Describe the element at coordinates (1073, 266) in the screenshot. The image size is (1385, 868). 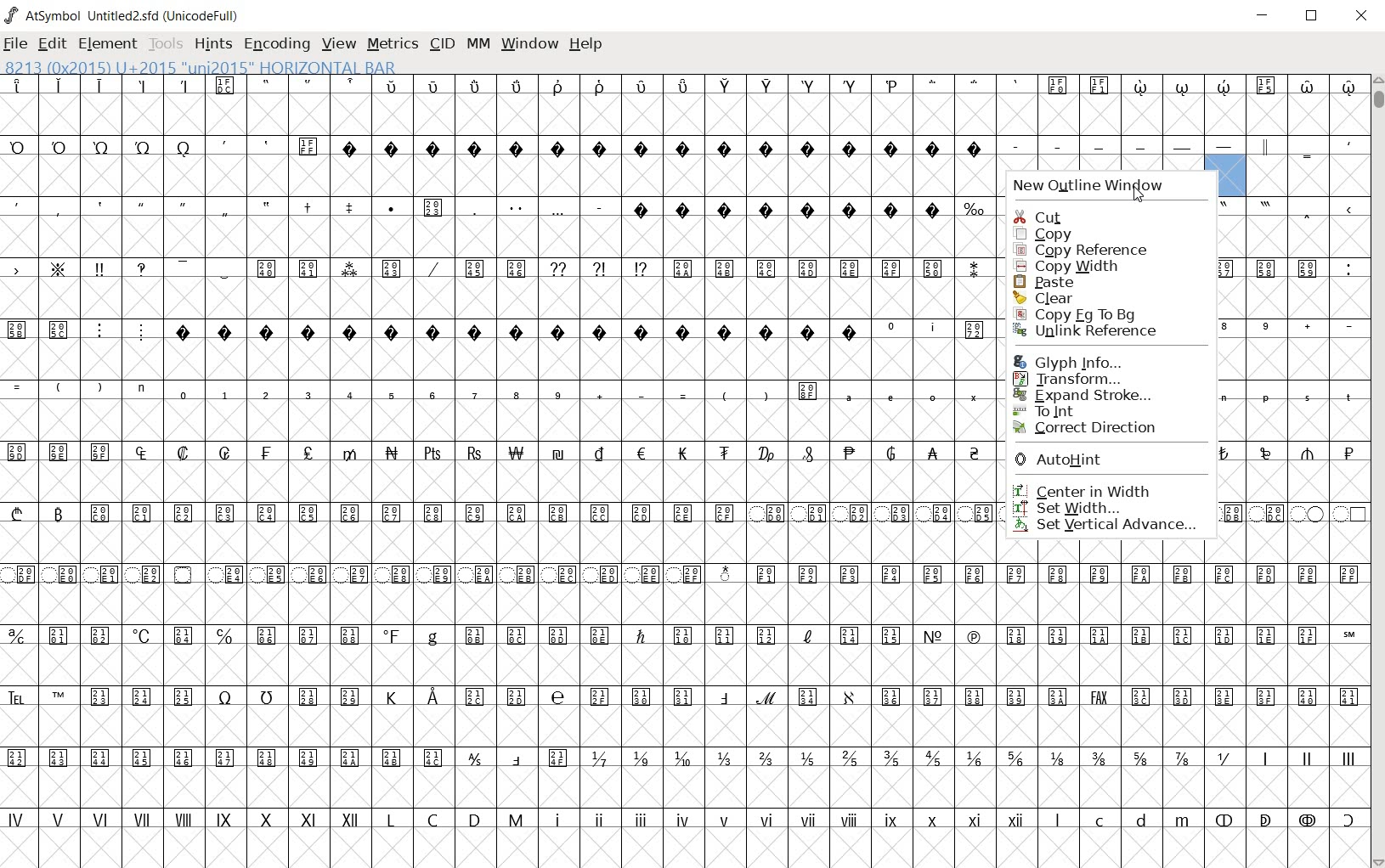
I see `copy width` at that location.